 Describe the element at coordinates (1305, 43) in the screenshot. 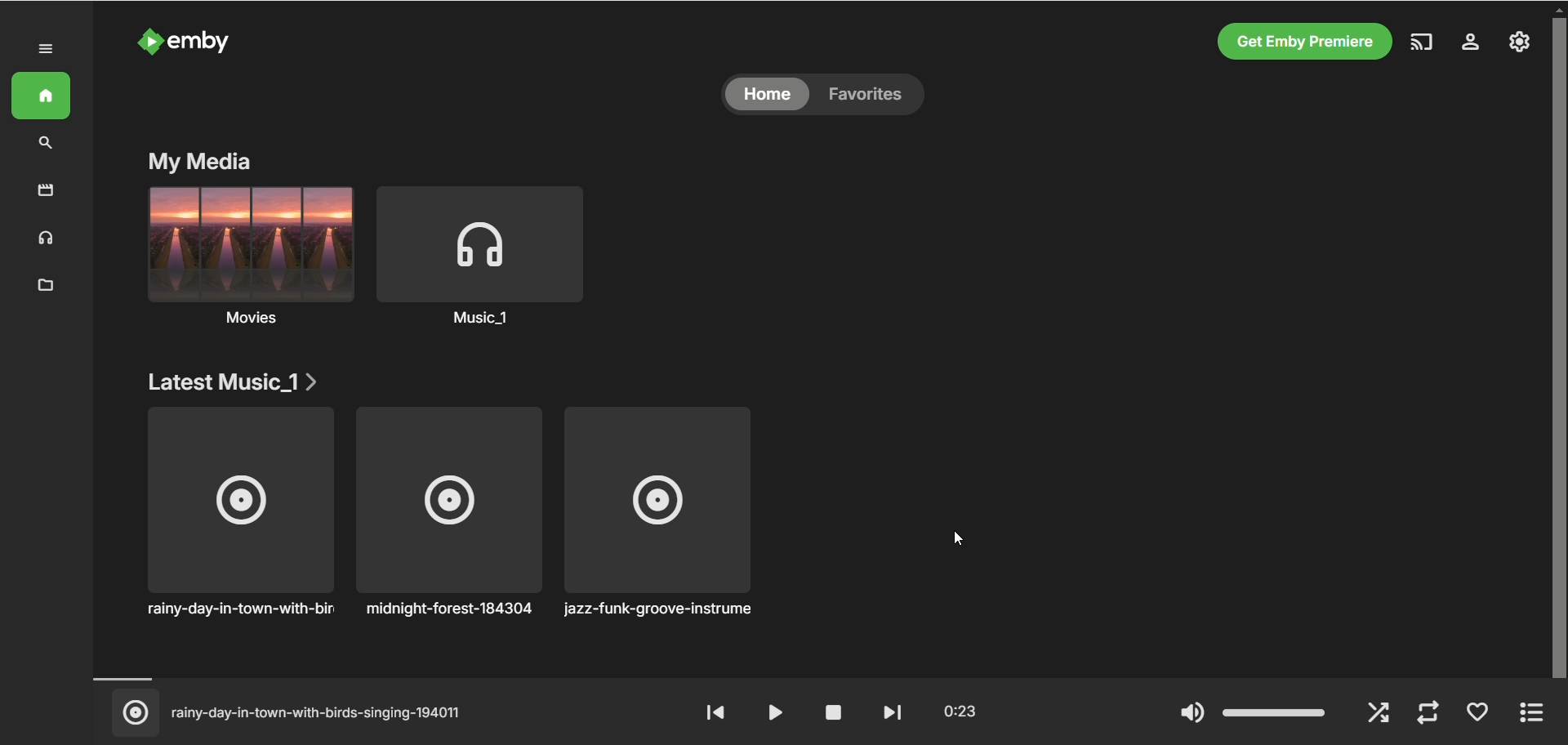

I see `get emby premier` at that location.